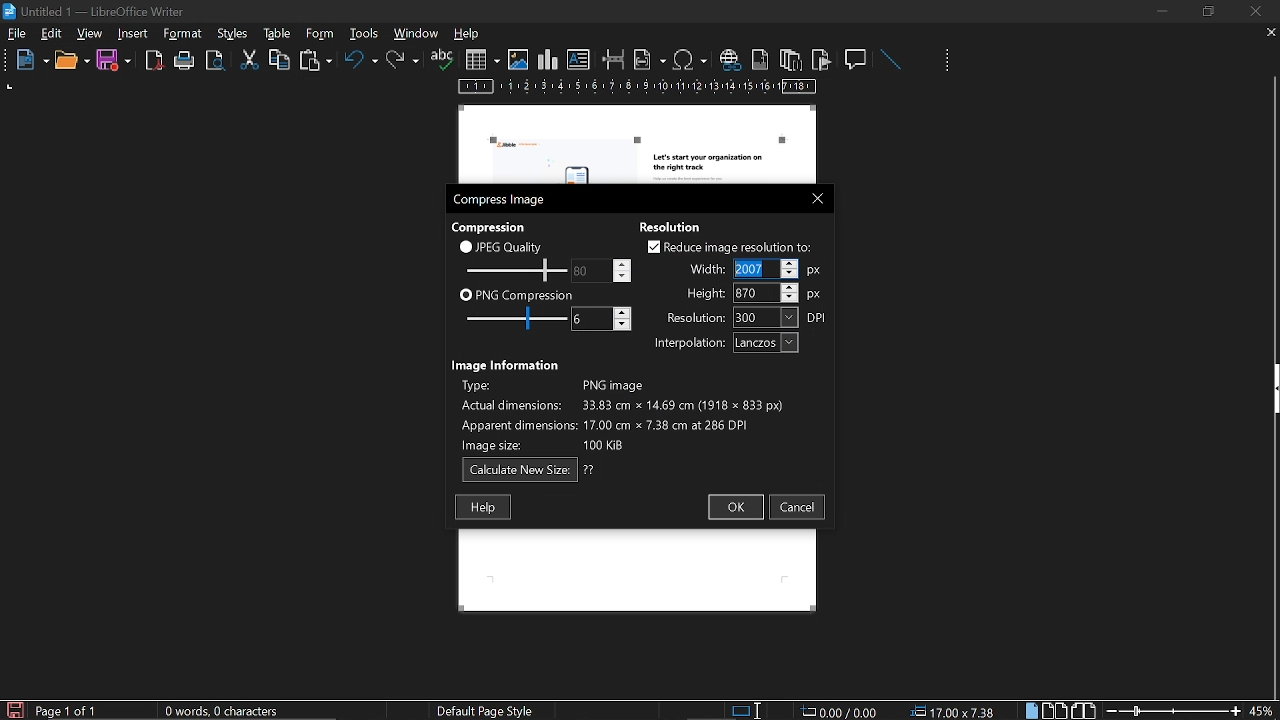  What do you see at coordinates (491, 226) in the screenshot?
I see `Compression` at bounding box center [491, 226].